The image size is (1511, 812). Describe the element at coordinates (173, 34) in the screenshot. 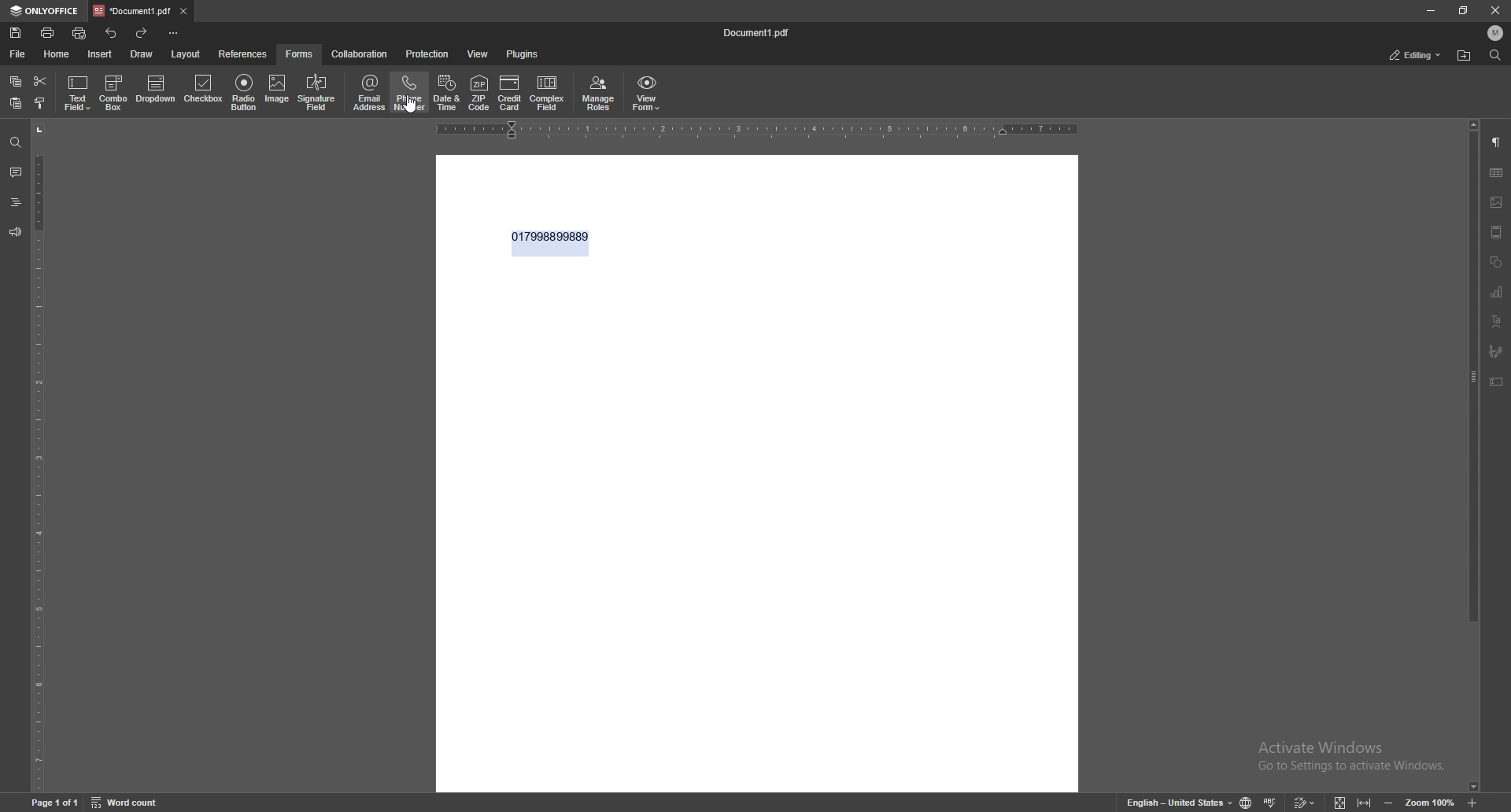

I see `customize toolbar` at that location.